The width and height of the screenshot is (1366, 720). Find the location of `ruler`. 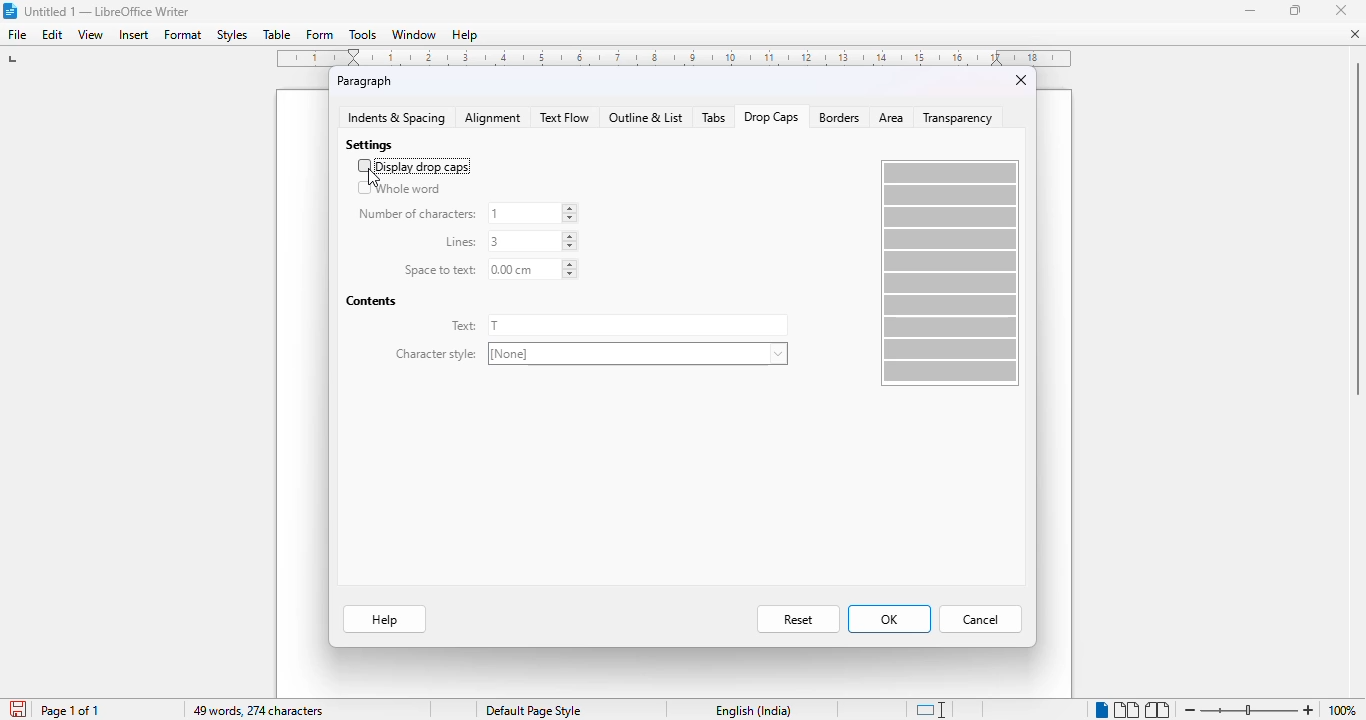

ruler is located at coordinates (675, 59).